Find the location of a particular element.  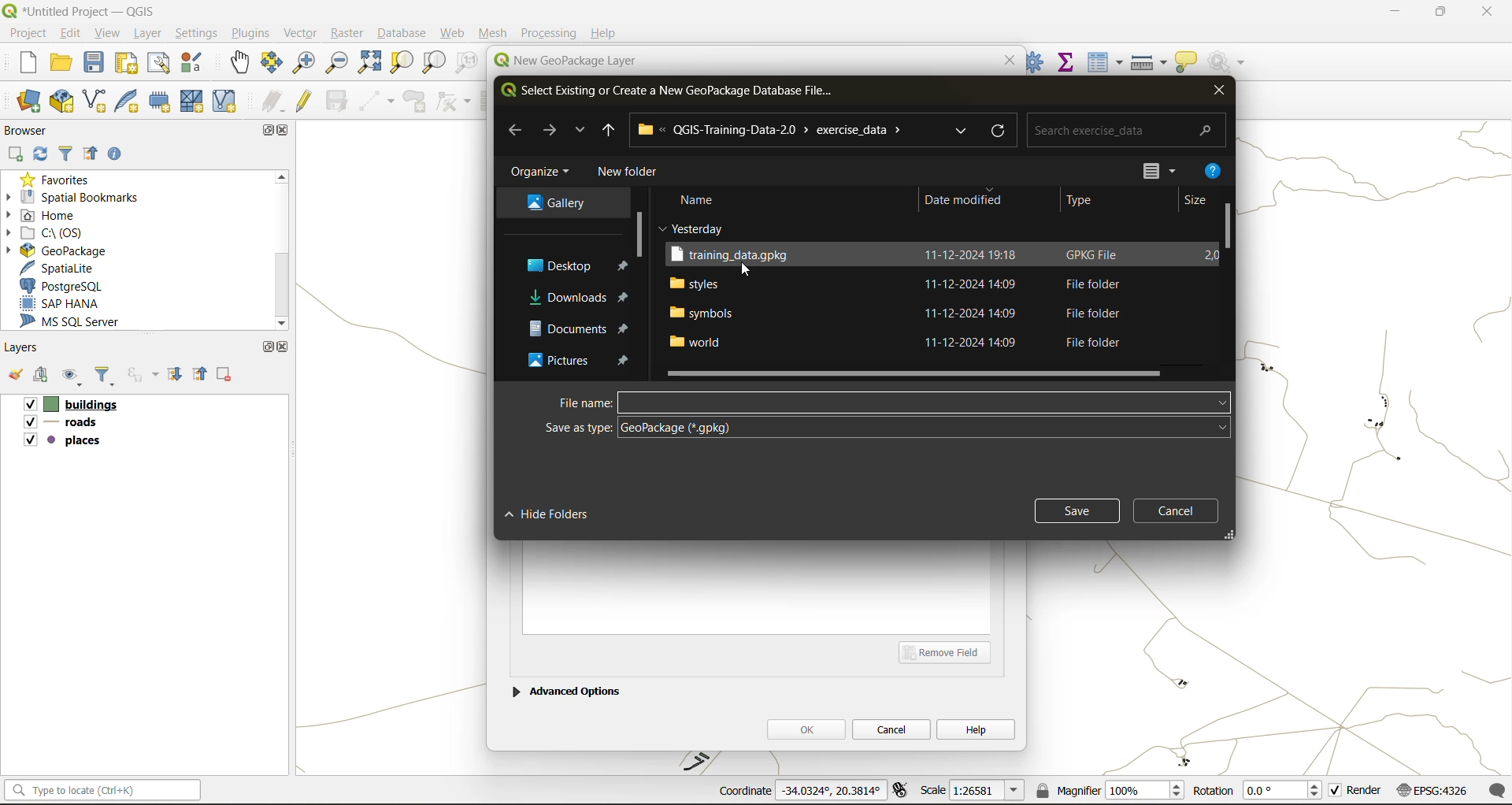

filter by expression is located at coordinates (145, 374).